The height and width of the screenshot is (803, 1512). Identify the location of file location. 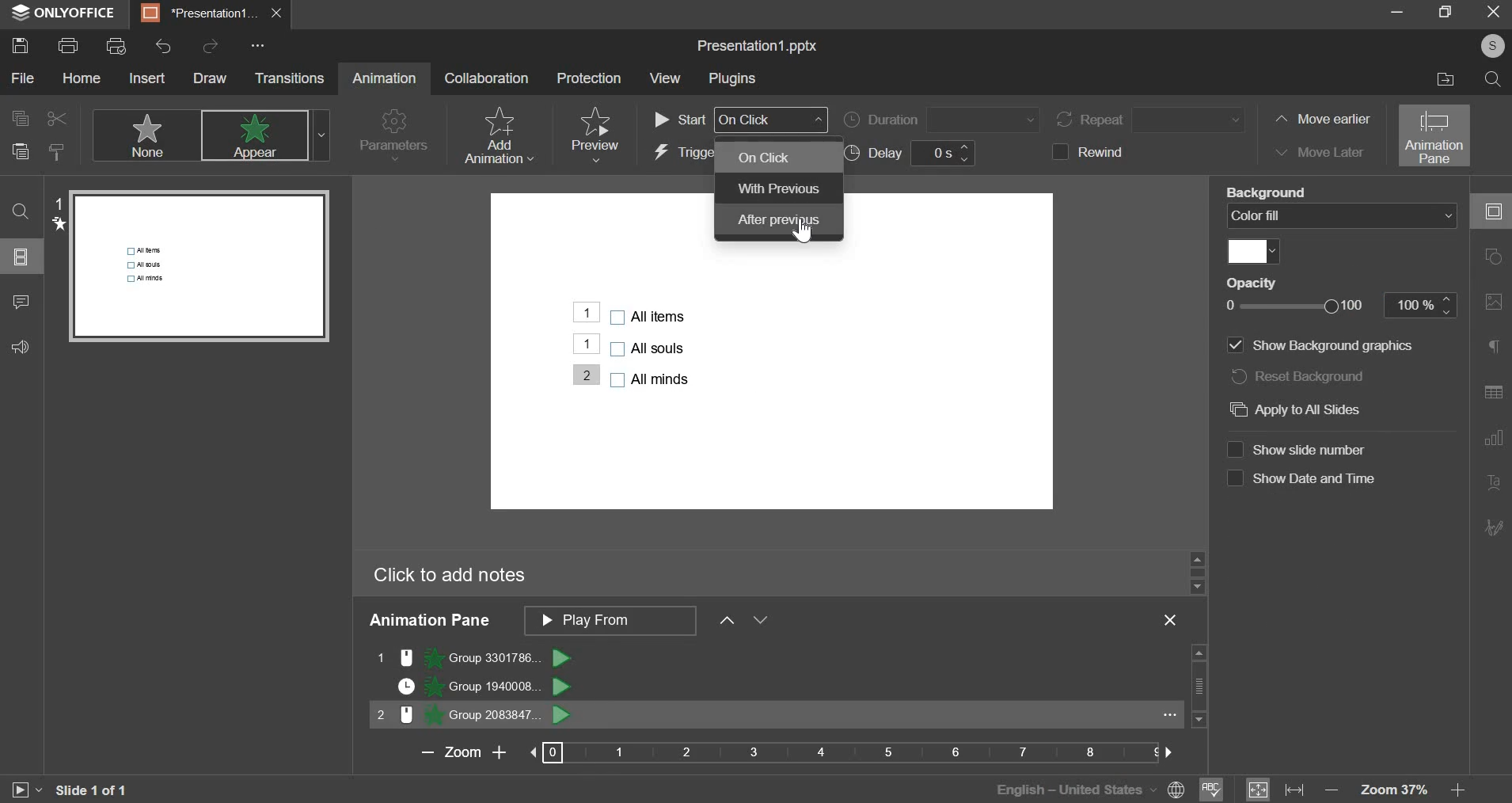
(1445, 79).